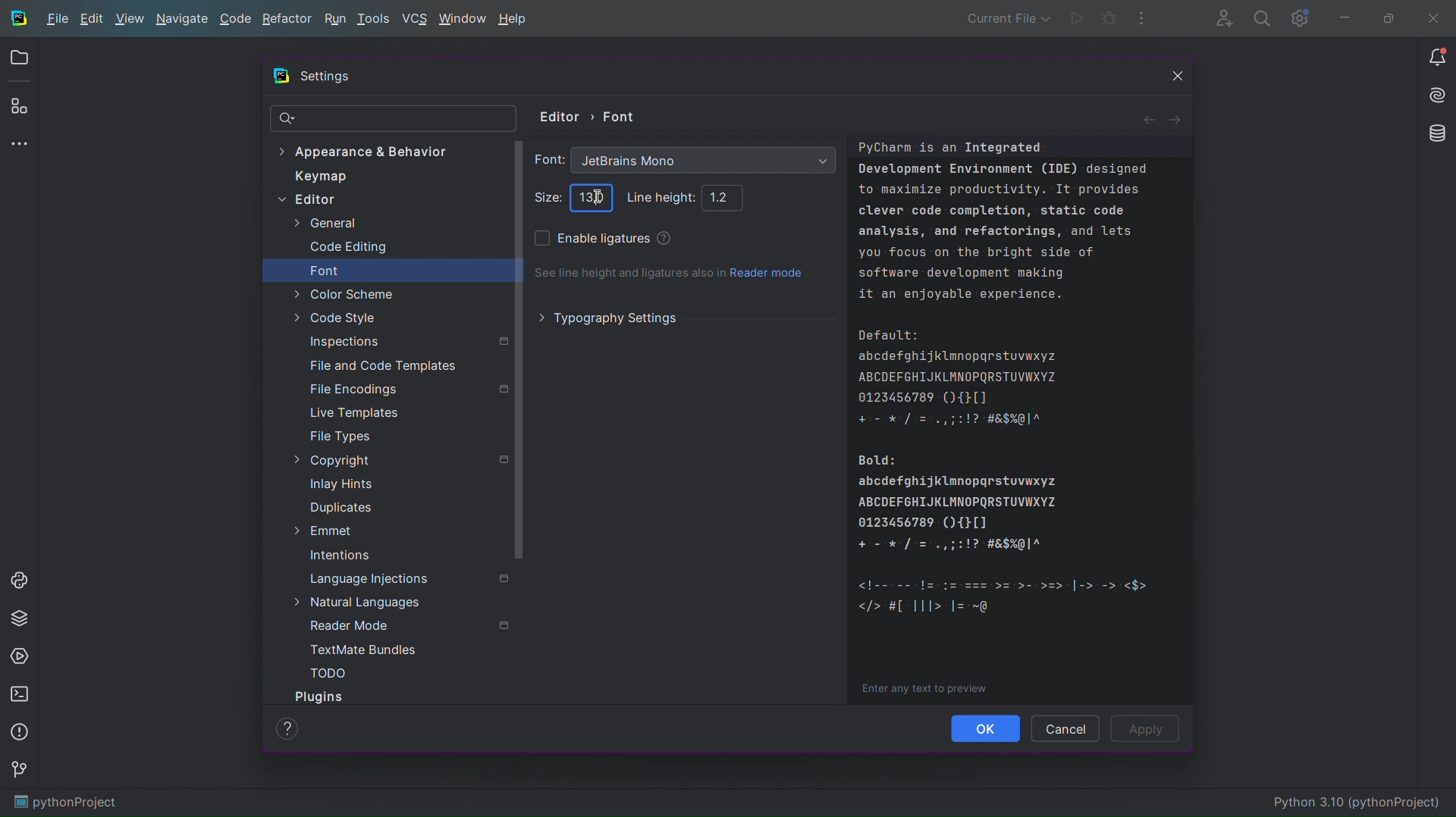 The image size is (1456, 817). What do you see at coordinates (1300, 19) in the screenshot?
I see `Settings` at bounding box center [1300, 19].